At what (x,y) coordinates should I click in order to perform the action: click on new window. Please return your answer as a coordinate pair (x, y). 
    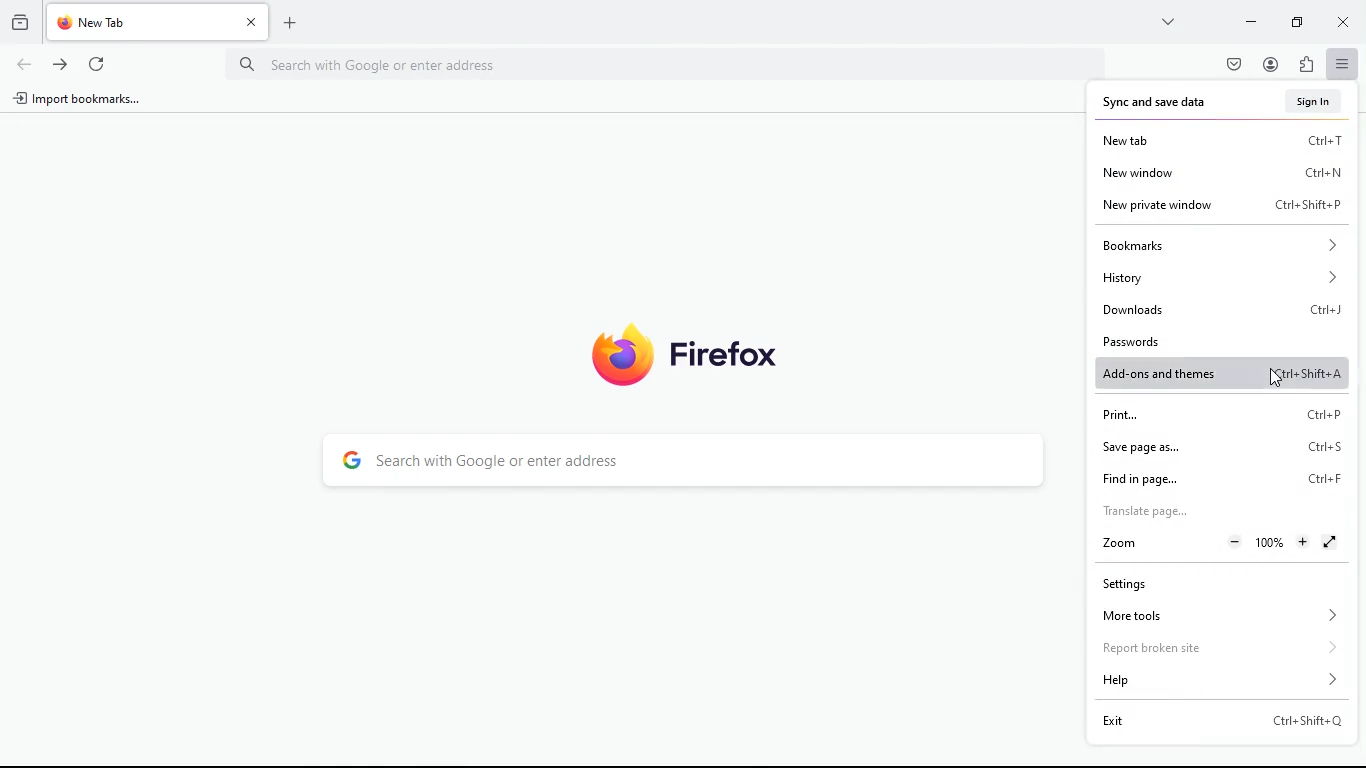
    Looking at the image, I should click on (1222, 173).